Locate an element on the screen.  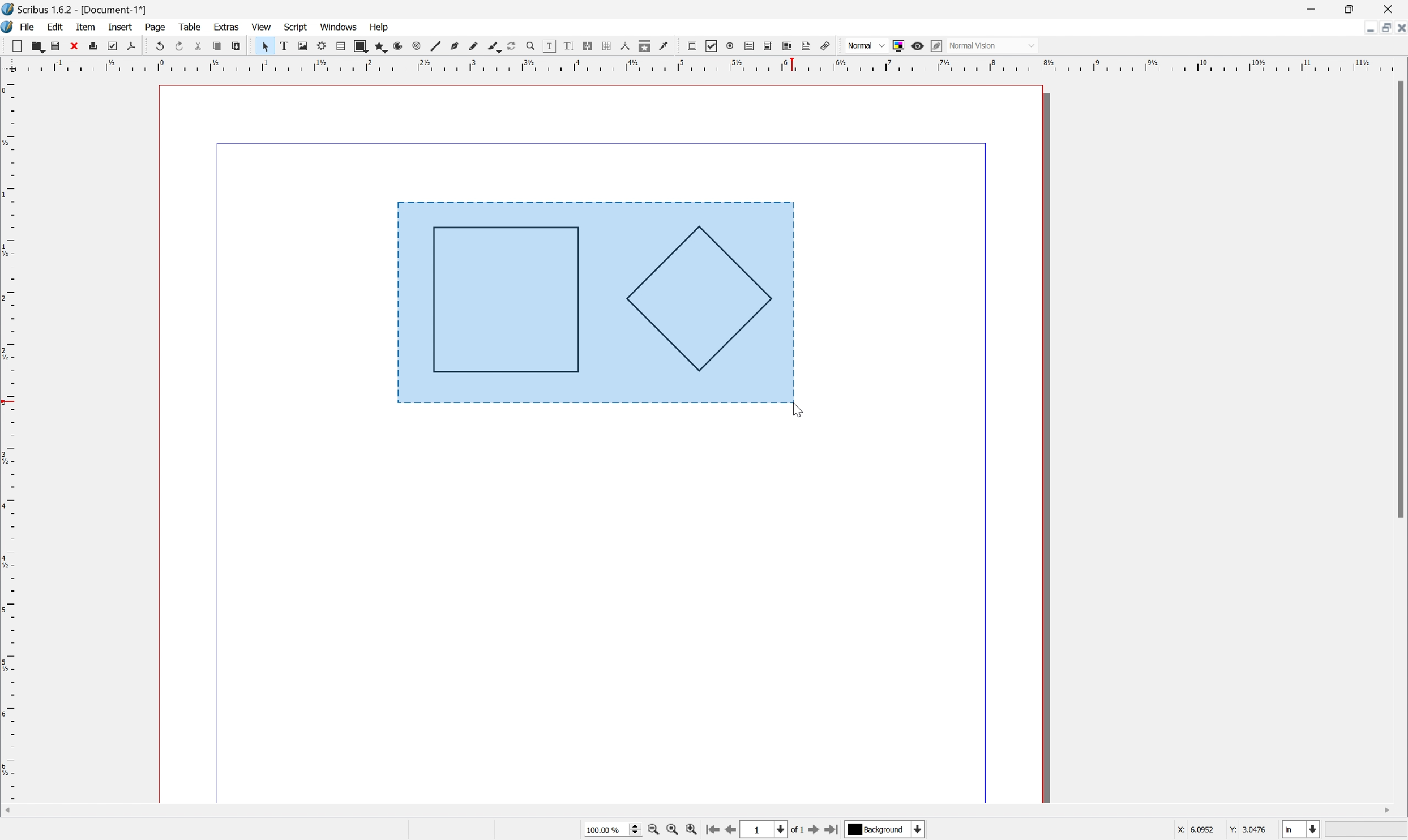
pdf push button is located at coordinates (691, 46).